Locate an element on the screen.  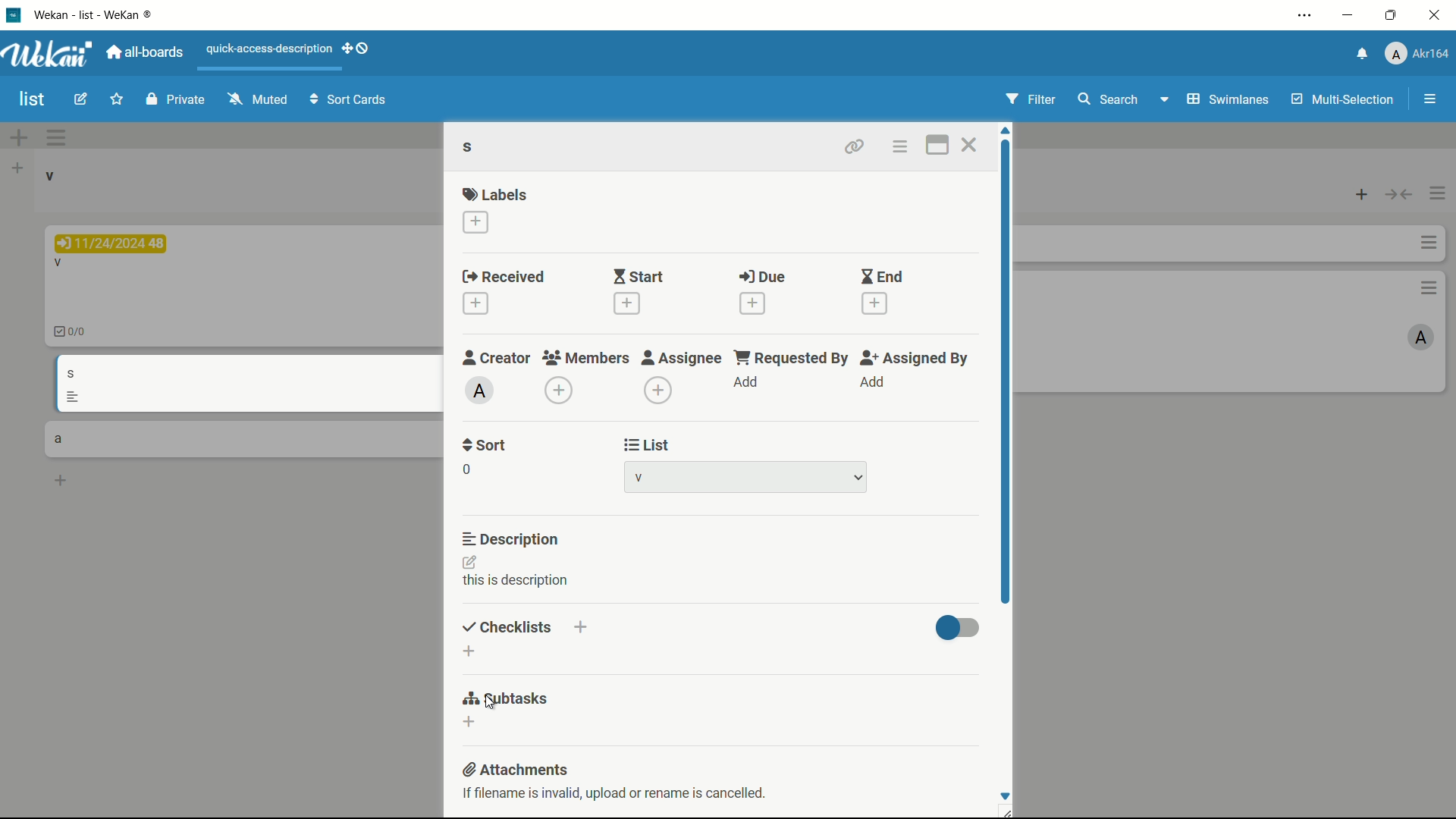
filter is located at coordinates (1030, 99).